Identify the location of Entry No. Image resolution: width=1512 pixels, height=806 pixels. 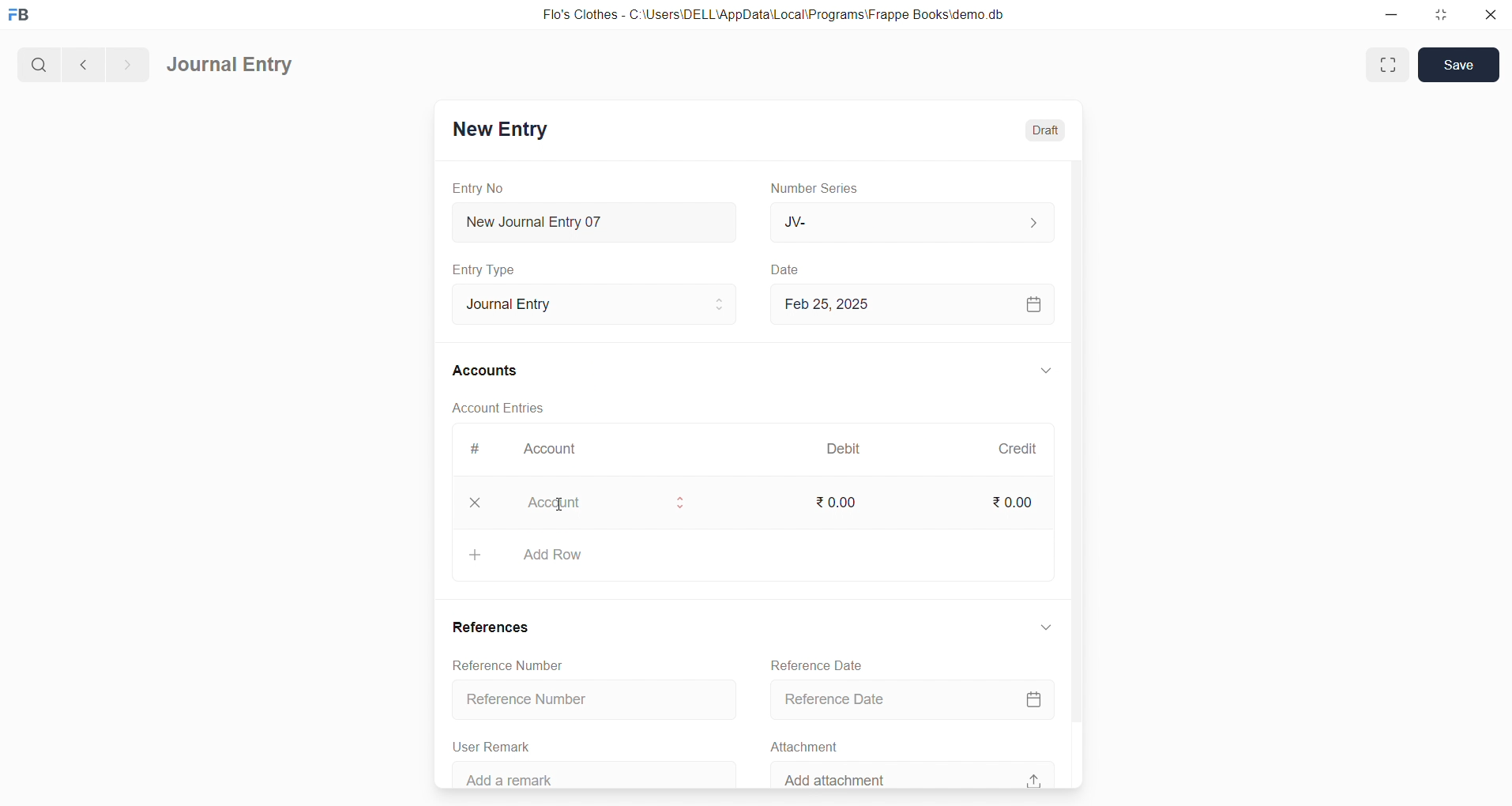
(479, 187).